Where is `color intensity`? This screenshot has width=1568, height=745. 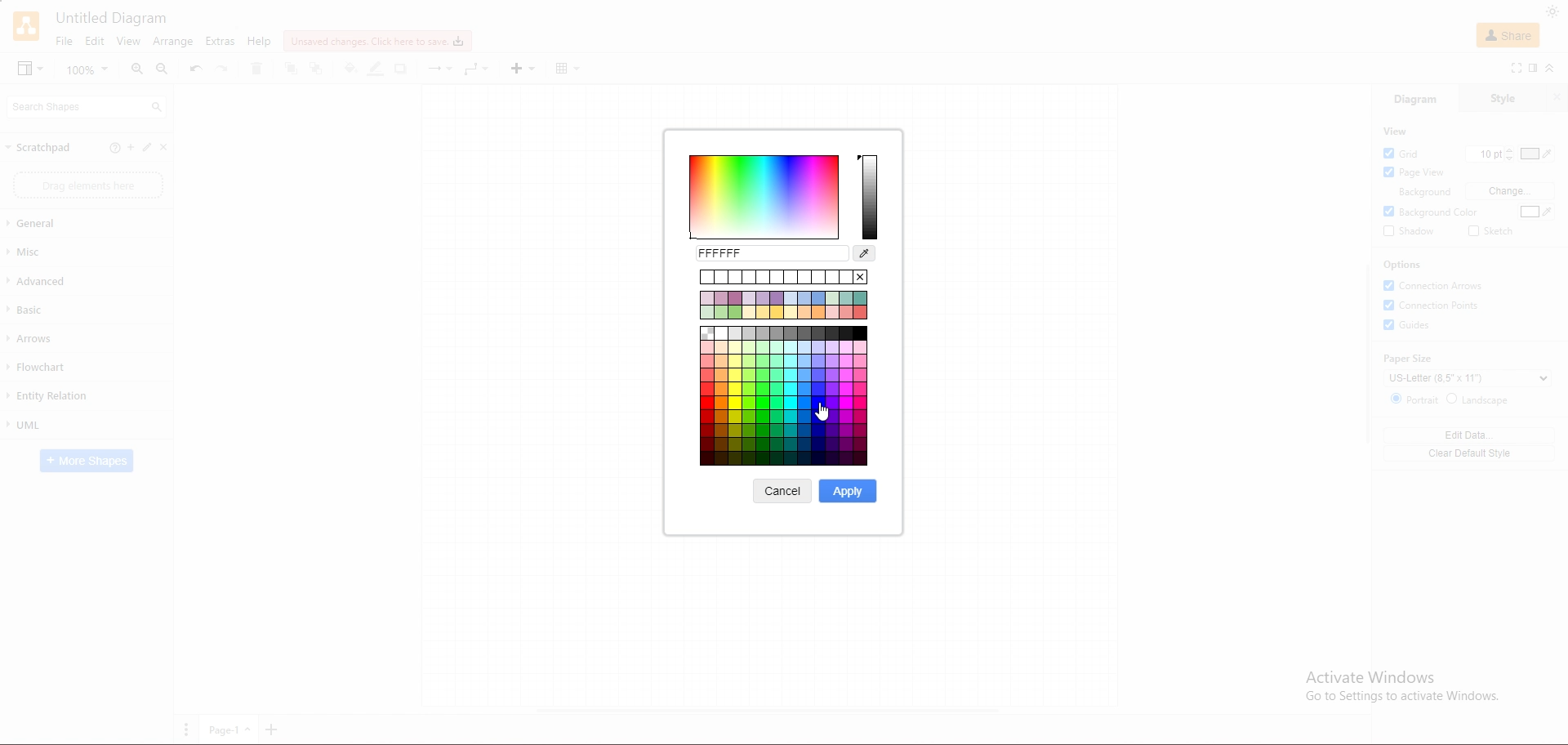 color intensity is located at coordinates (871, 198).